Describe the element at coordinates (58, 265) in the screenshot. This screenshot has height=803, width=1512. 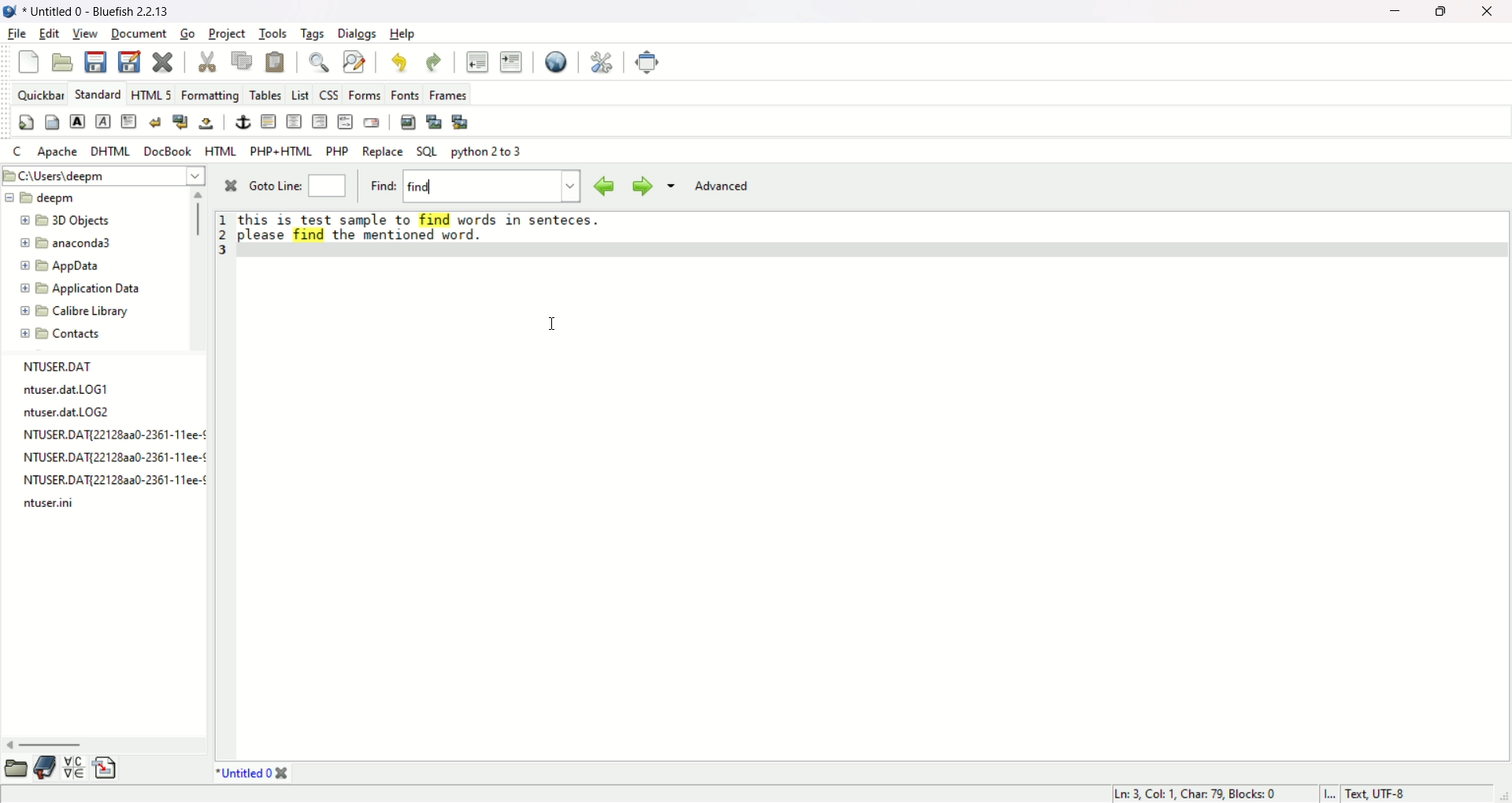
I see `appdata` at that location.